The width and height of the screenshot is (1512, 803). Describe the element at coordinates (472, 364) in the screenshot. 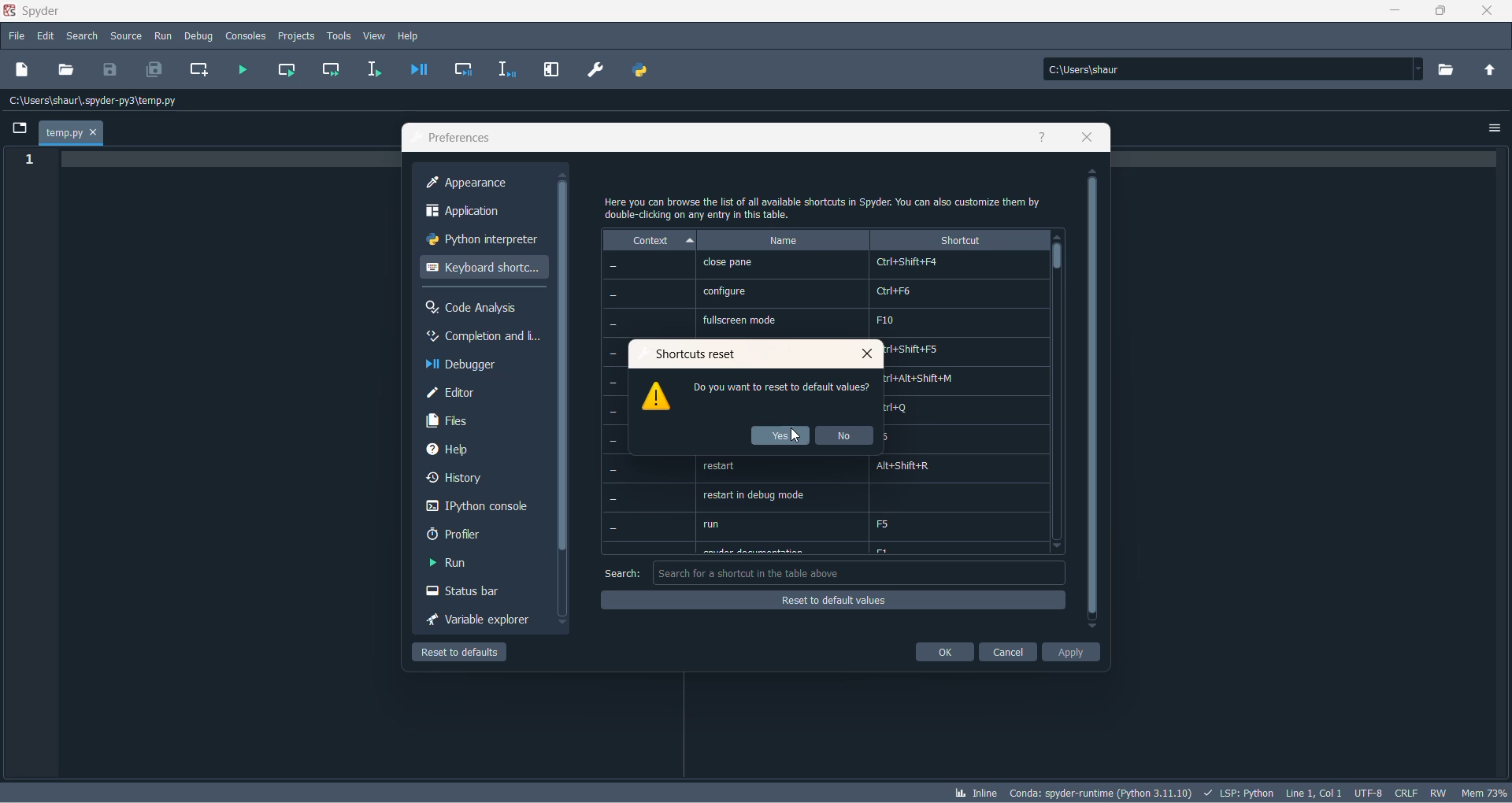

I see `debugger` at that location.